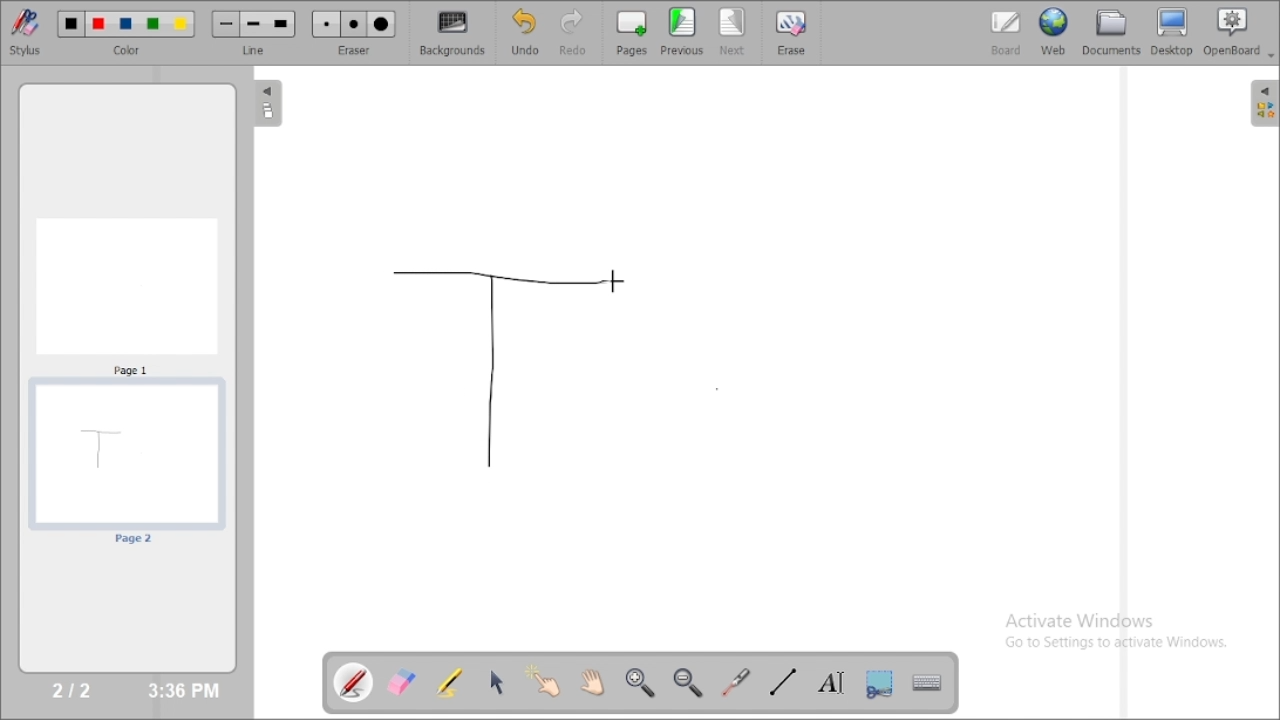 This screenshot has height=720, width=1280. Describe the element at coordinates (127, 295) in the screenshot. I see `Page 1` at that location.